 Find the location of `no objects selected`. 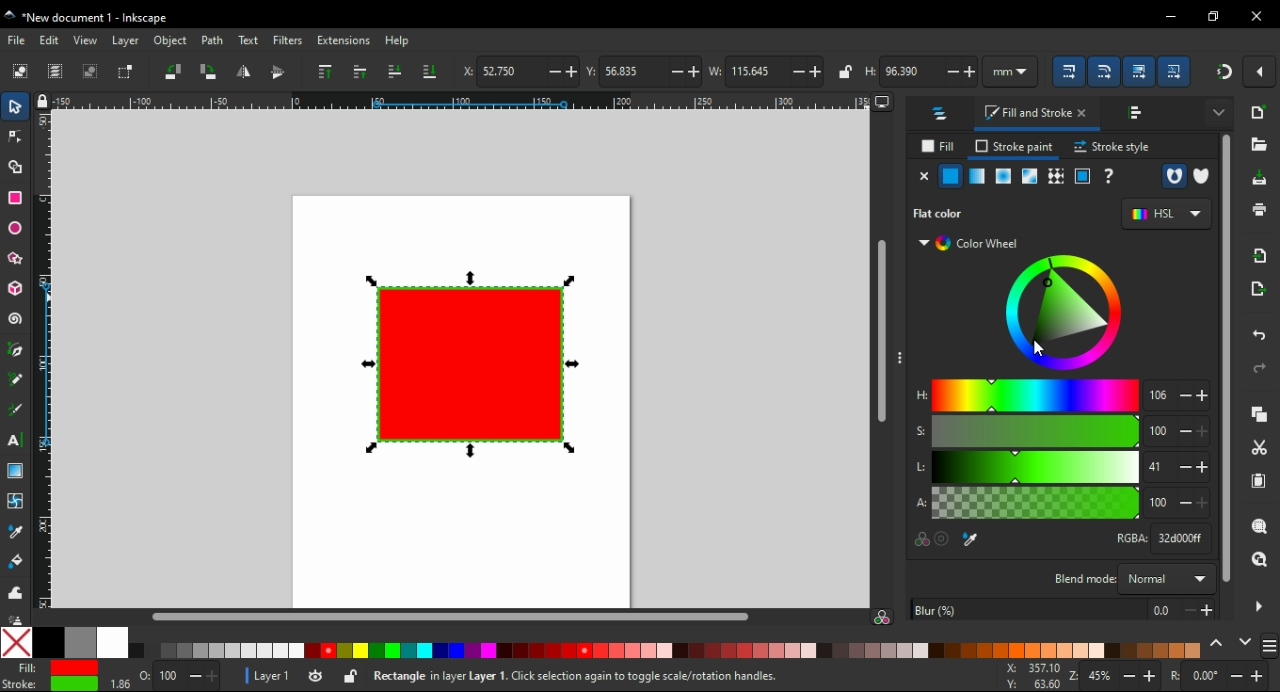

no objects selected is located at coordinates (641, 677).